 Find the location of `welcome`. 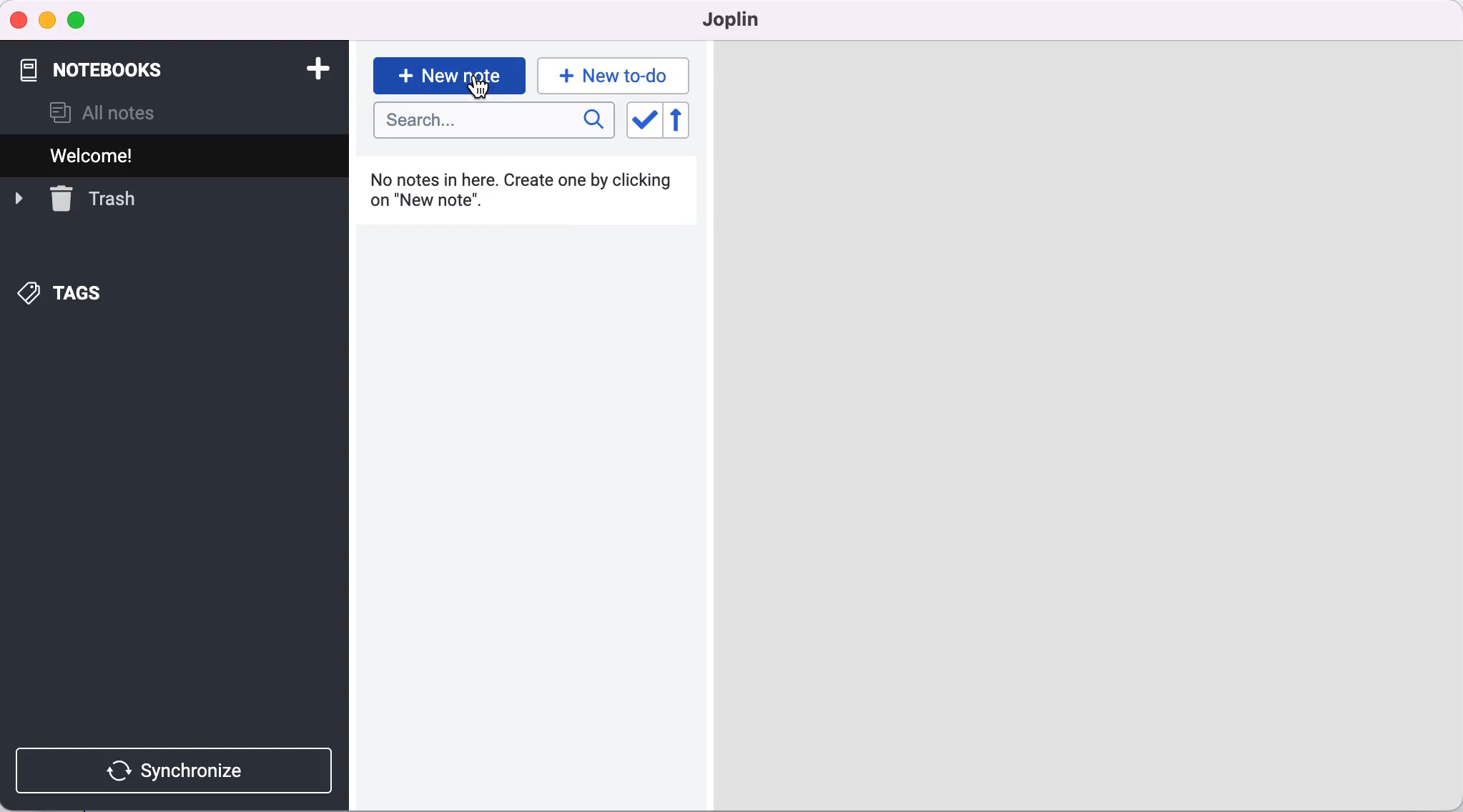

welcome is located at coordinates (121, 155).